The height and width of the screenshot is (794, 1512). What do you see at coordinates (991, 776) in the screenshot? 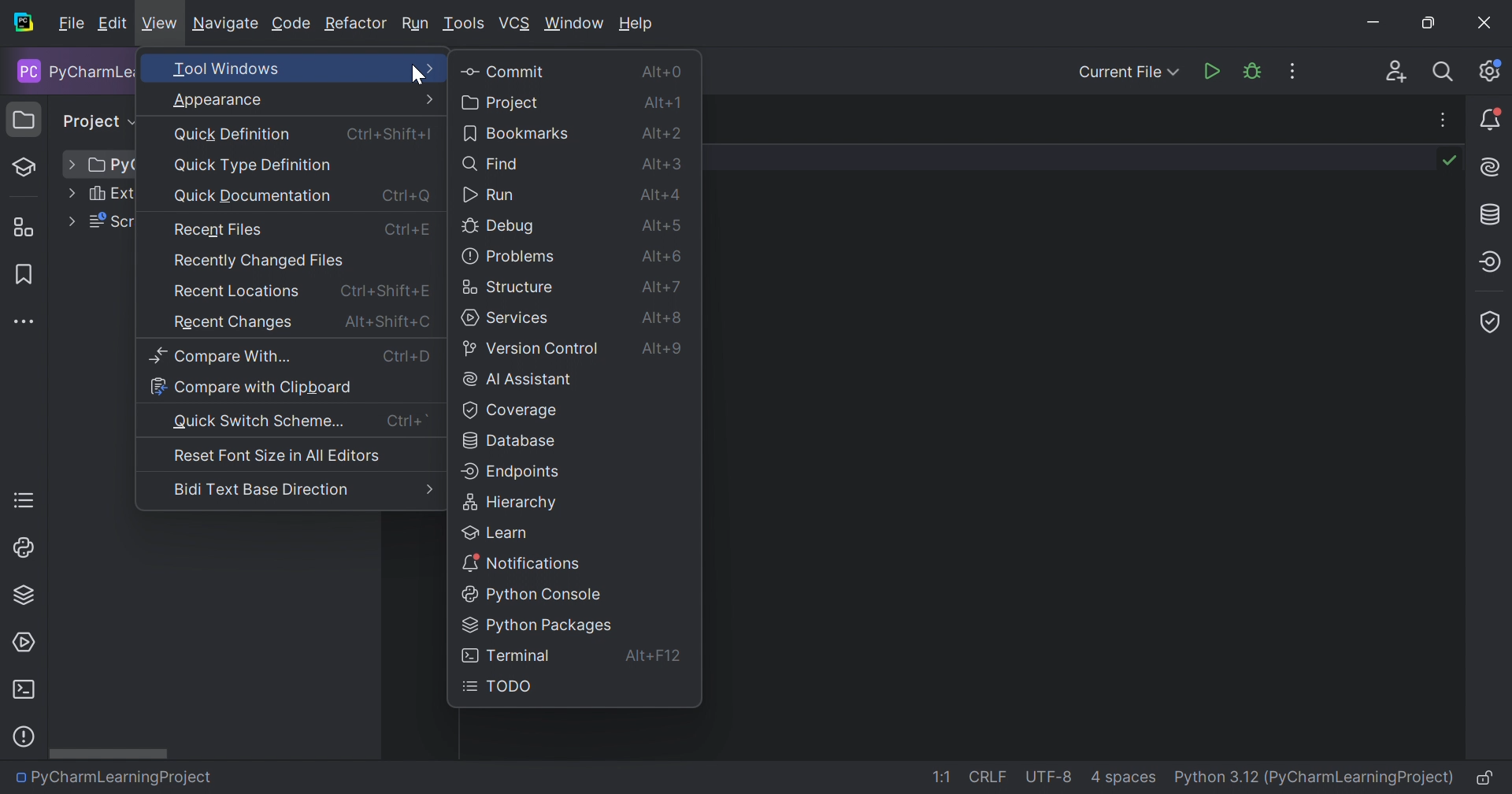
I see `CRLF` at bounding box center [991, 776].